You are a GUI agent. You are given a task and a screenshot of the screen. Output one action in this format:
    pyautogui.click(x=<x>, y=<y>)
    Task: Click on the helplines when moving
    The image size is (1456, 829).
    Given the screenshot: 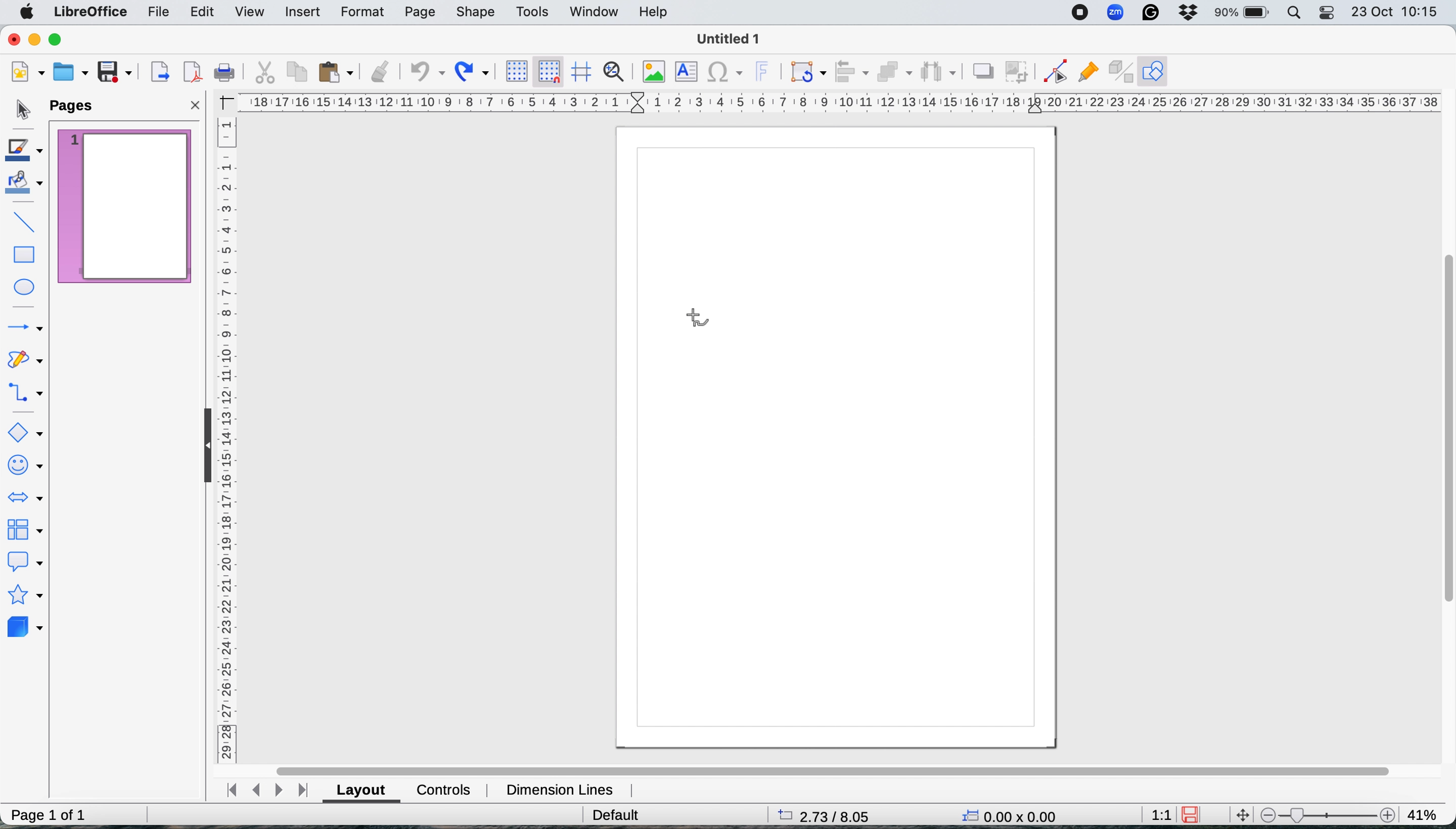 What is the action you would take?
    pyautogui.click(x=580, y=72)
    